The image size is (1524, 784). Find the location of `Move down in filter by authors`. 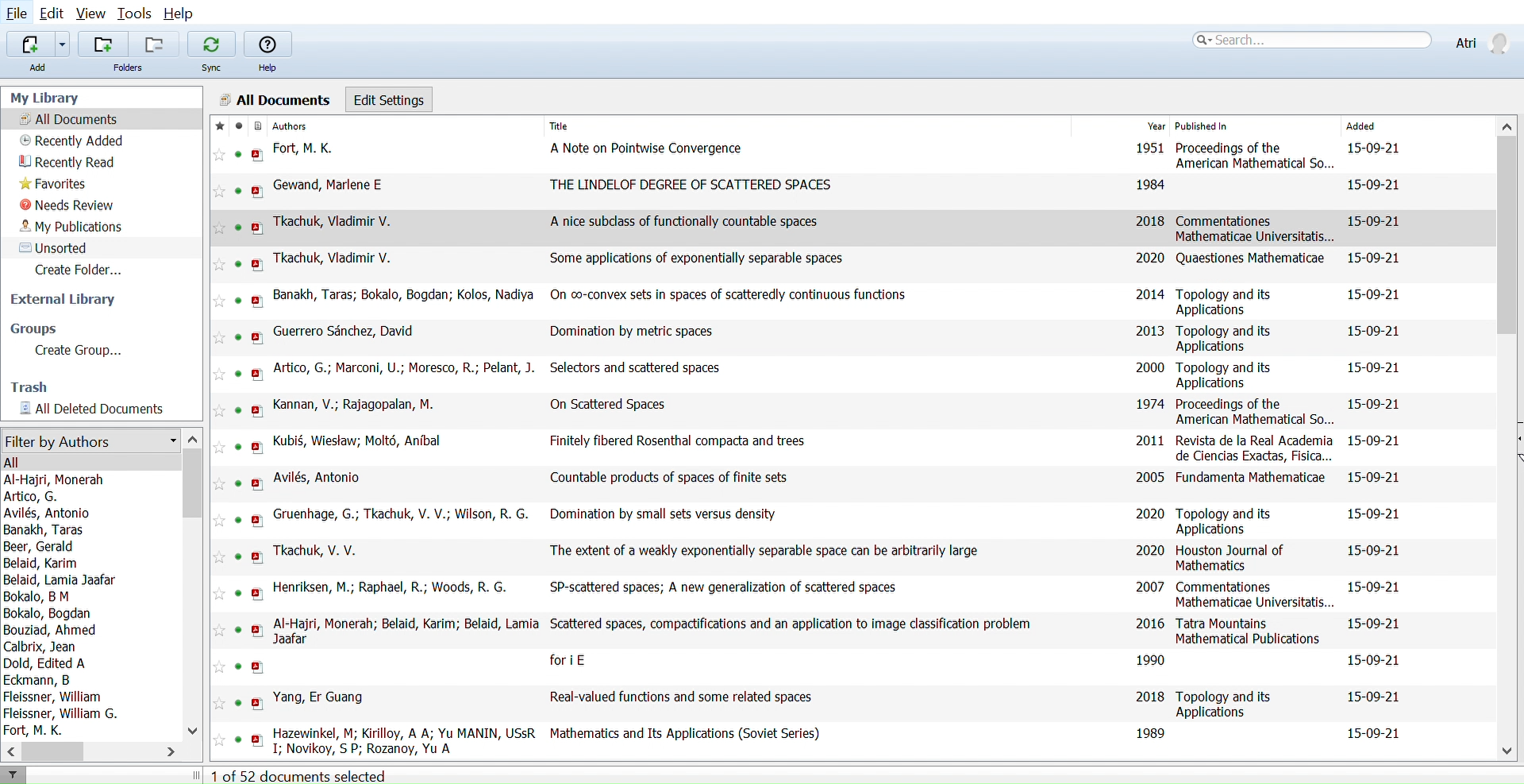

Move down in filter by authors is located at coordinates (191, 728).